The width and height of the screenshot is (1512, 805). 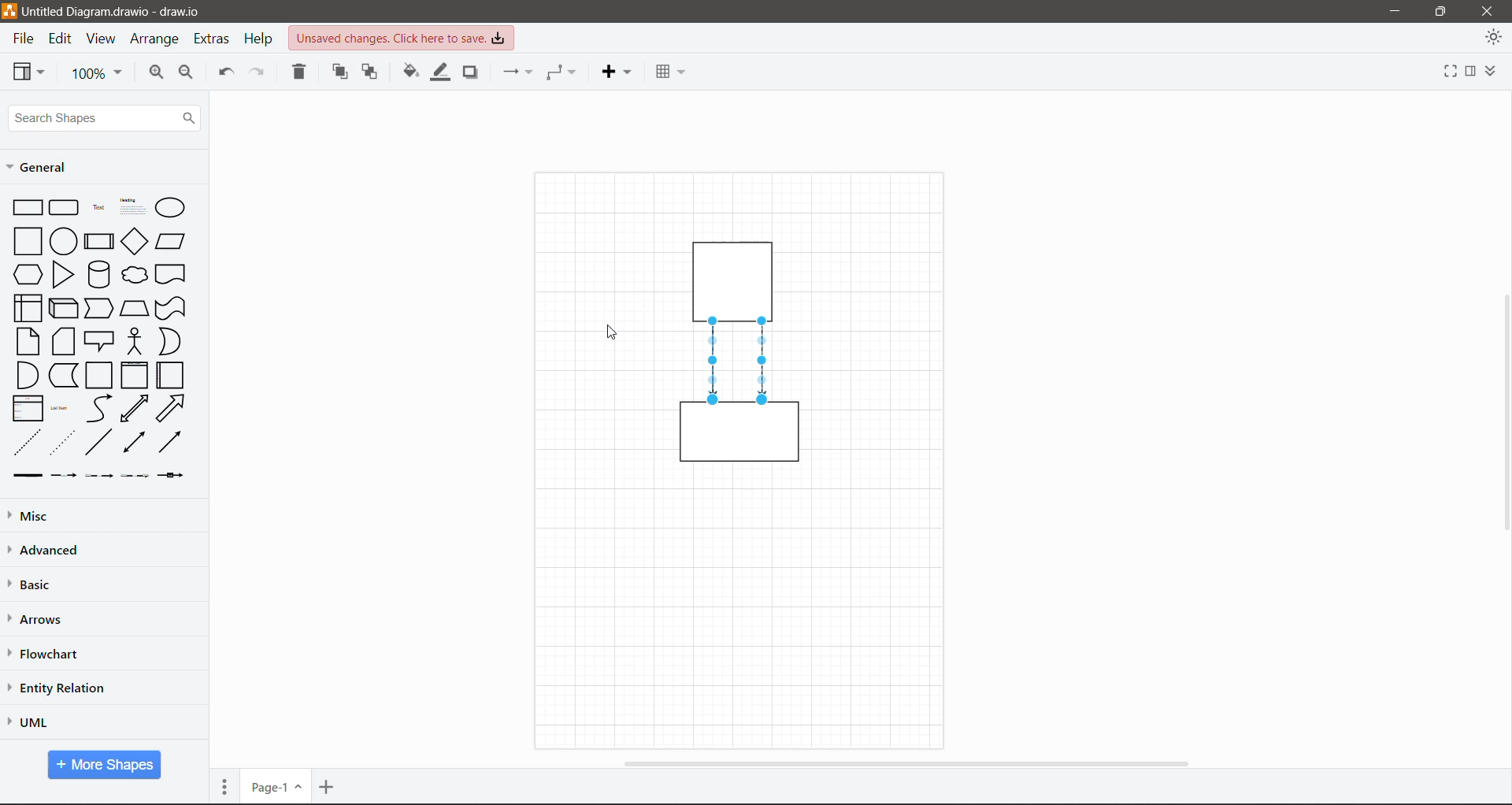 What do you see at coordinates (25, 407) in the screenshot?
I see `List` at bounding box center [25, 407].